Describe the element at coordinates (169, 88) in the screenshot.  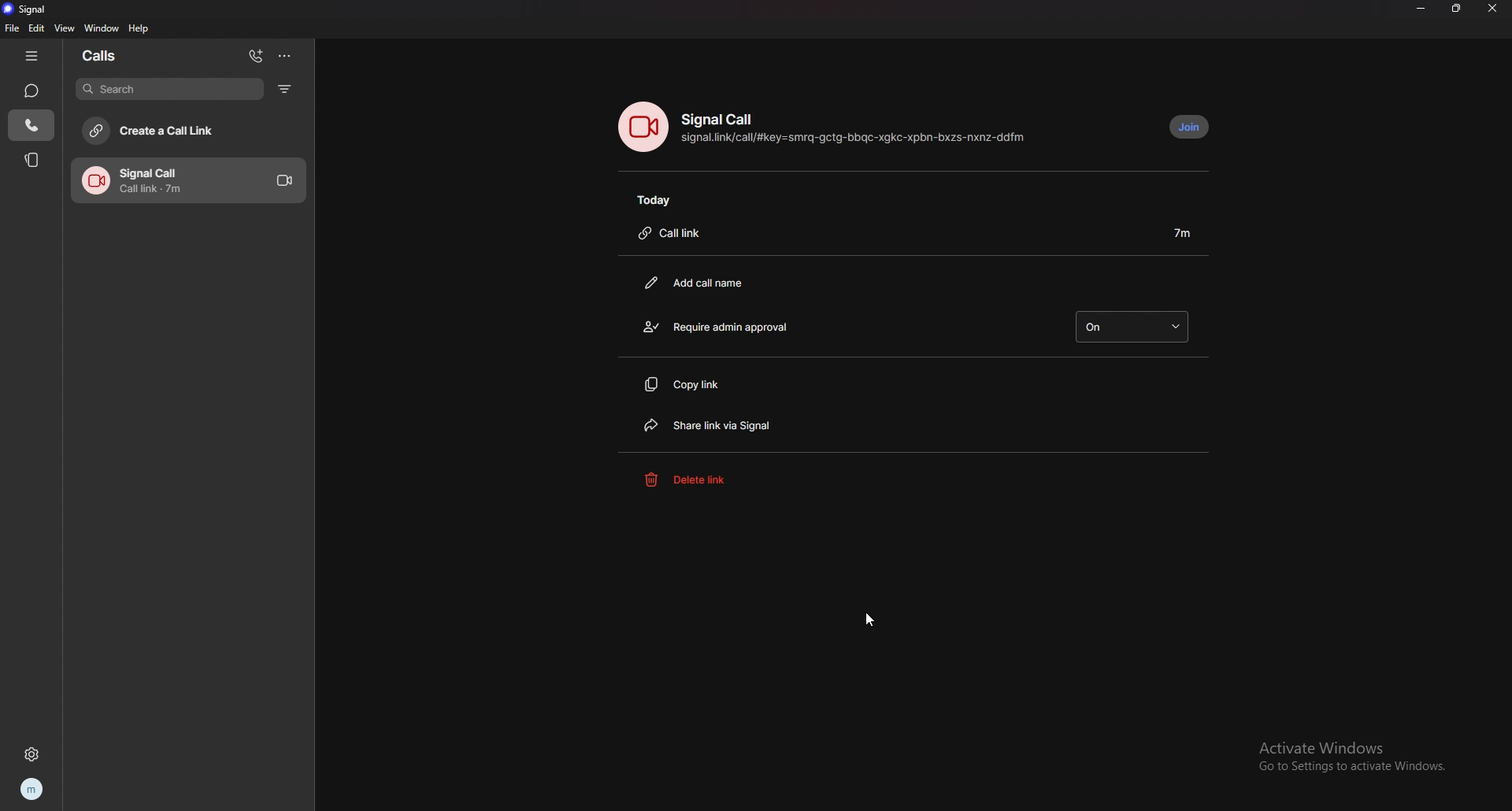
I see `search` at that location.